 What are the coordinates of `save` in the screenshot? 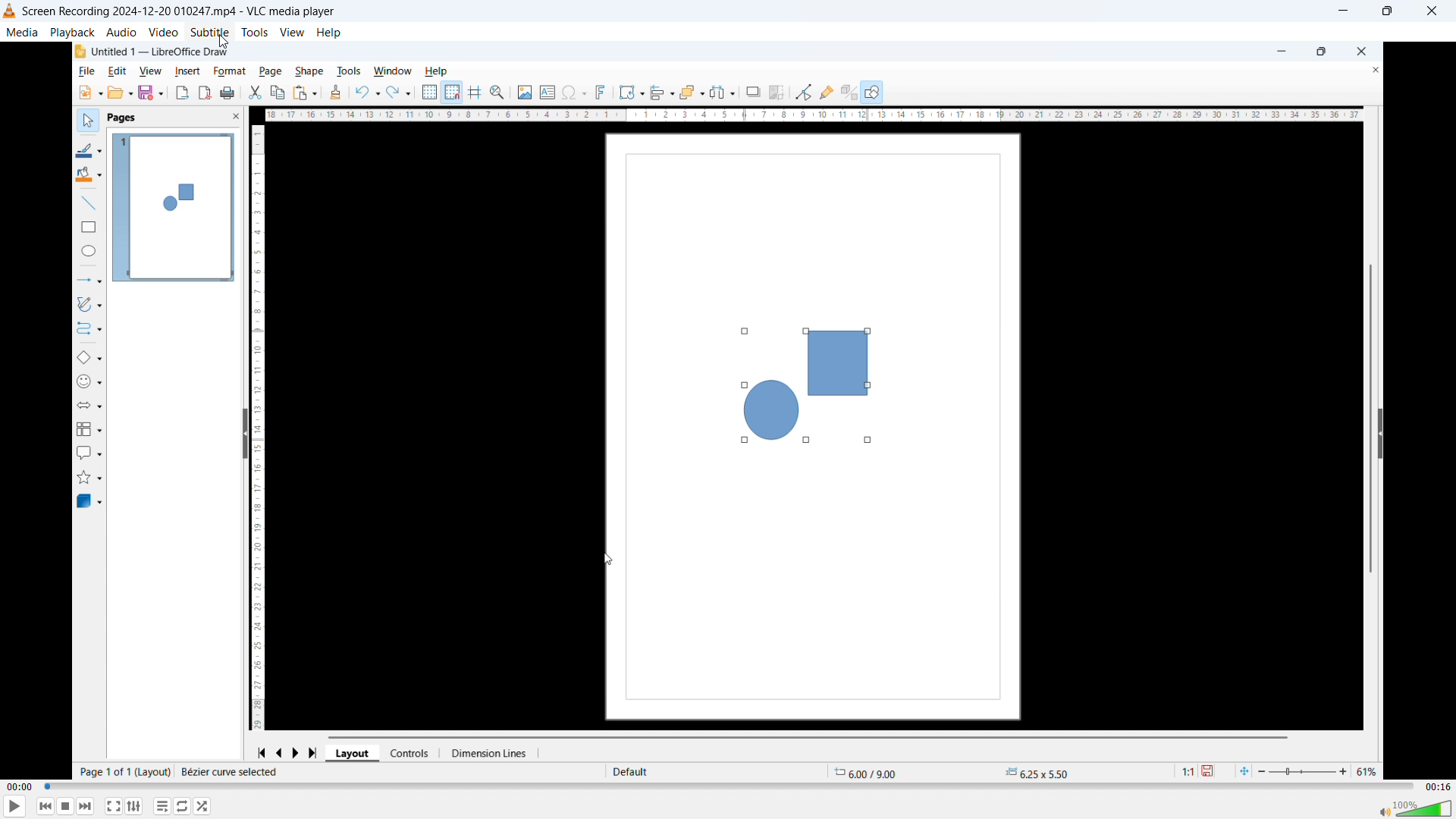 It's located at (1213, 771).